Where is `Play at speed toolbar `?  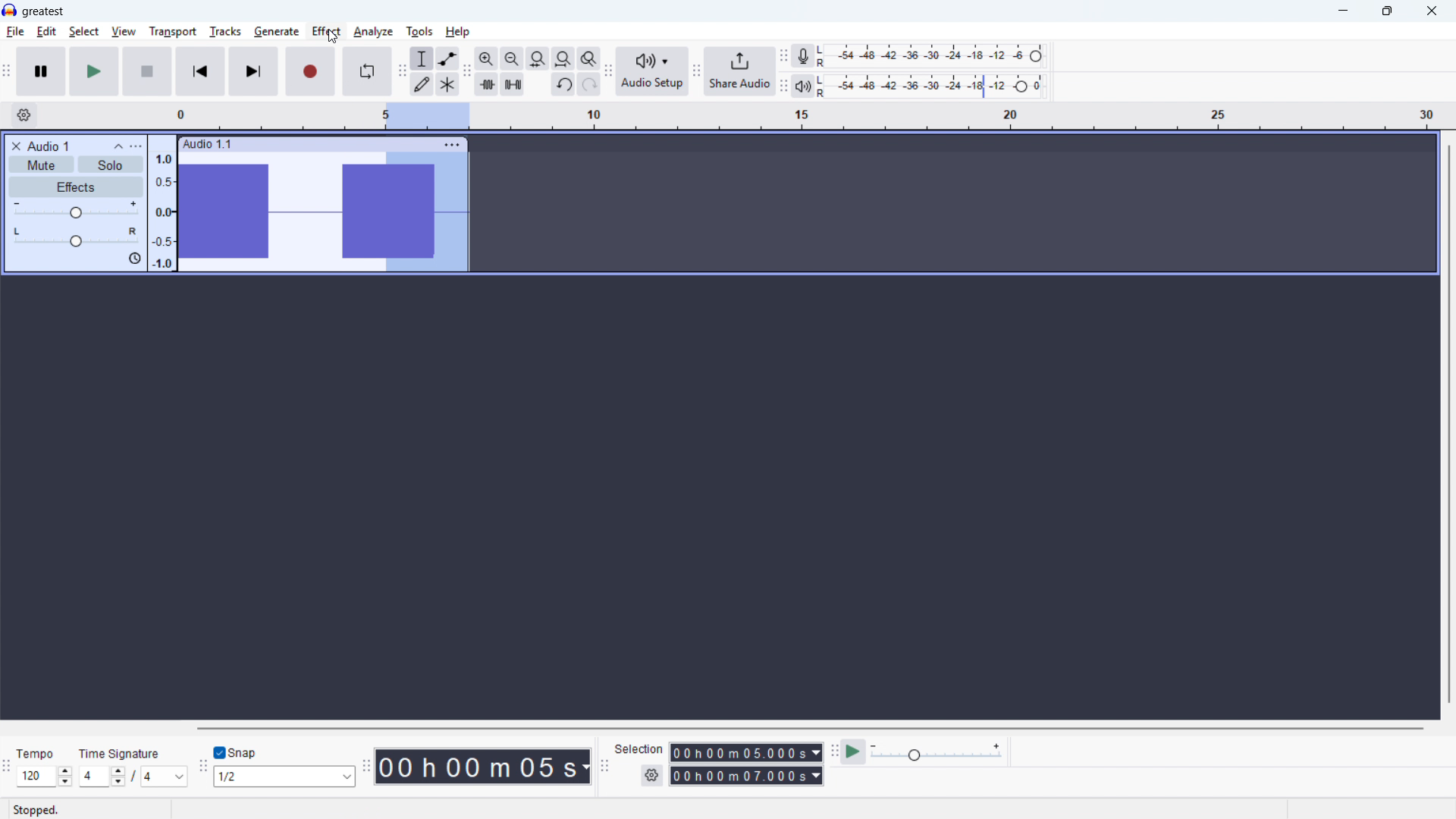 Play at speed toolbar  is located at coordinates (834, 754).